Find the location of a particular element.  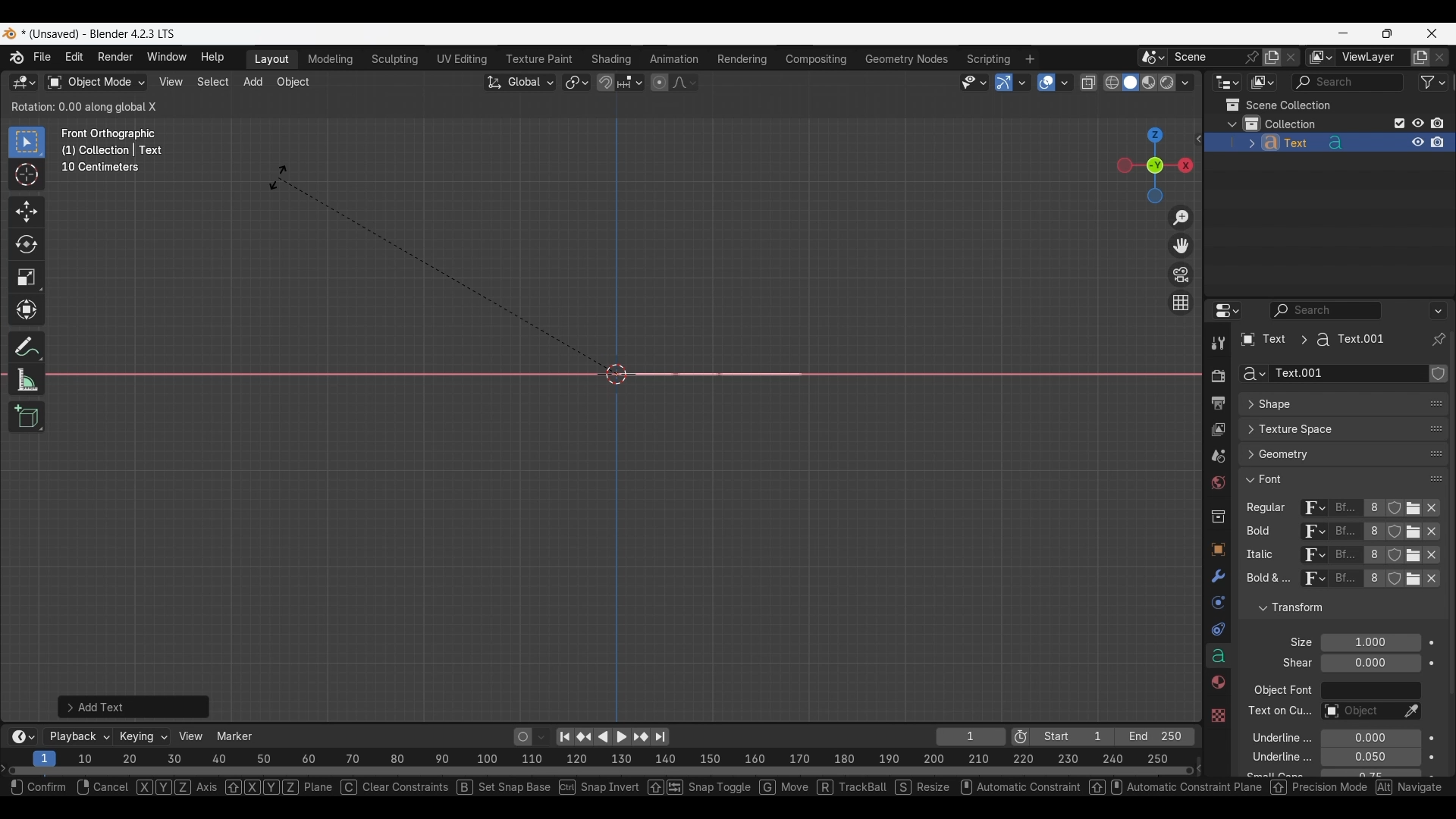

snap toggle is located at coordinates (698, 789).